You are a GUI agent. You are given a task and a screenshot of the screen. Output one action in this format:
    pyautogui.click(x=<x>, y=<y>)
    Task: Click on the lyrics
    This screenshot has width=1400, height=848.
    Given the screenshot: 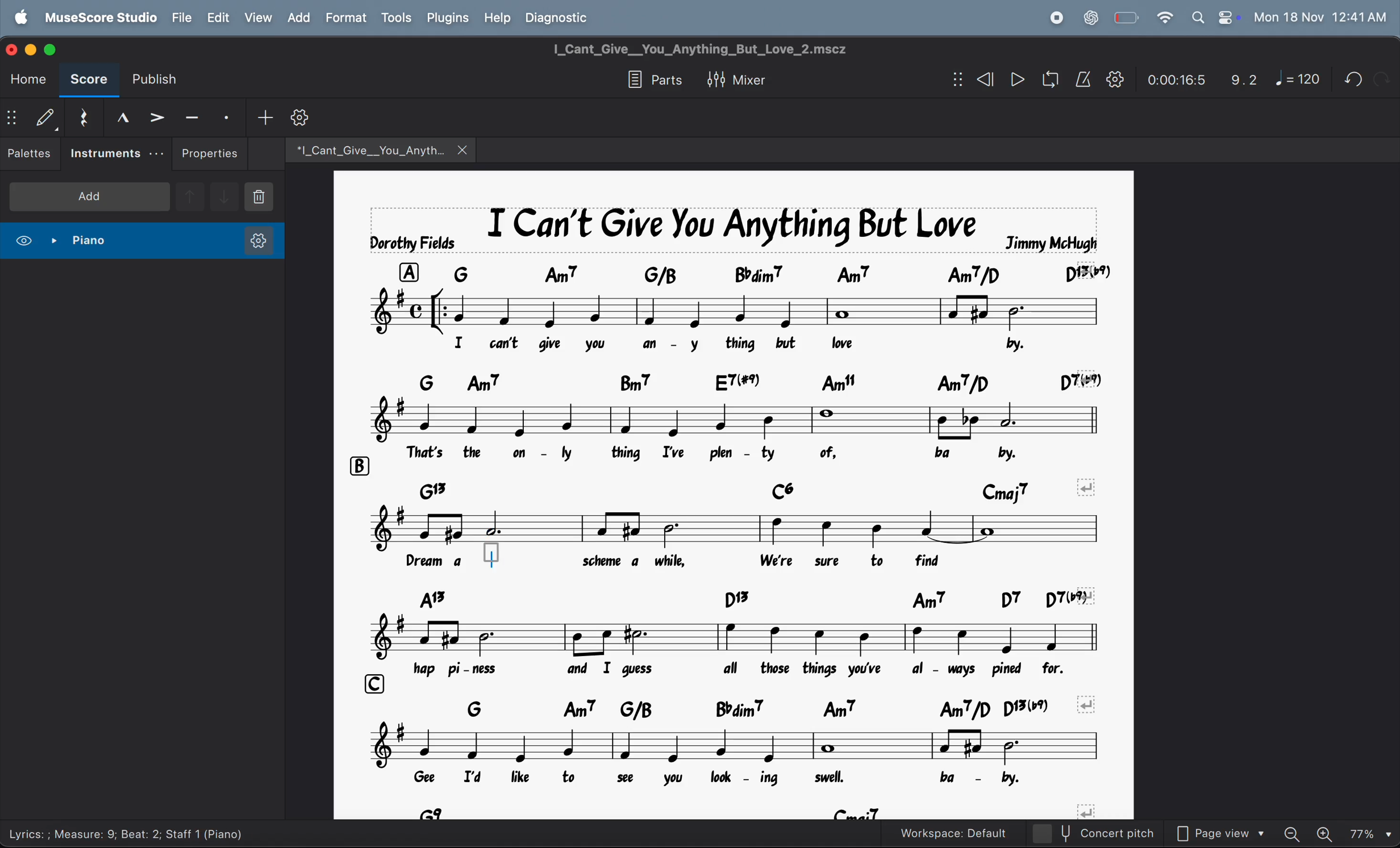 What is the action you would take?
    pyautogui.click(x=746, y=450)
    